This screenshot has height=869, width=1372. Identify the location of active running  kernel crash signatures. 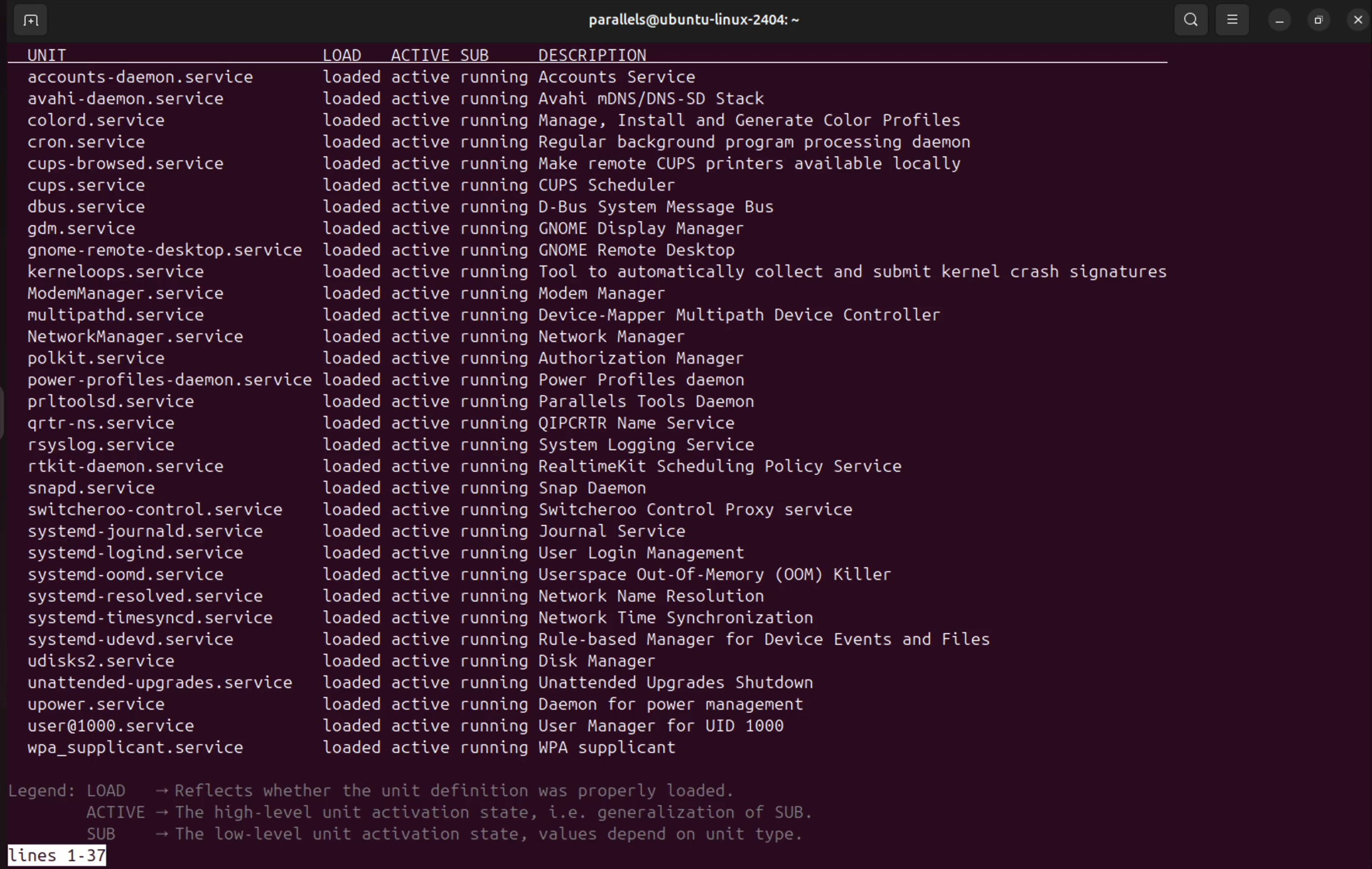
(784, 272).